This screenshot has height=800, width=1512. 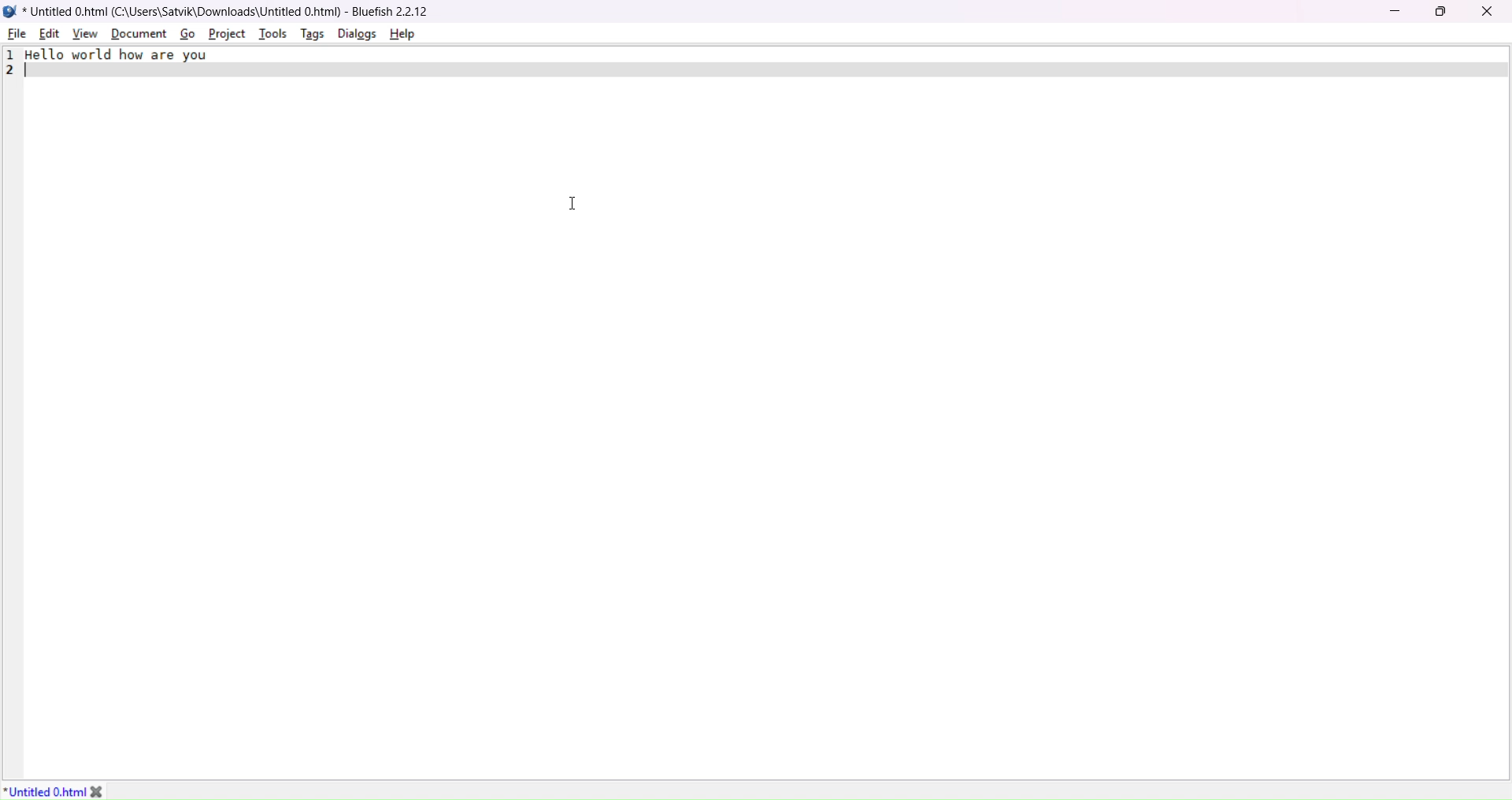 What do you see at coordinates (1442, 13) in the screenshot?
I see `Maximize` at bounding box center [1442, 13].